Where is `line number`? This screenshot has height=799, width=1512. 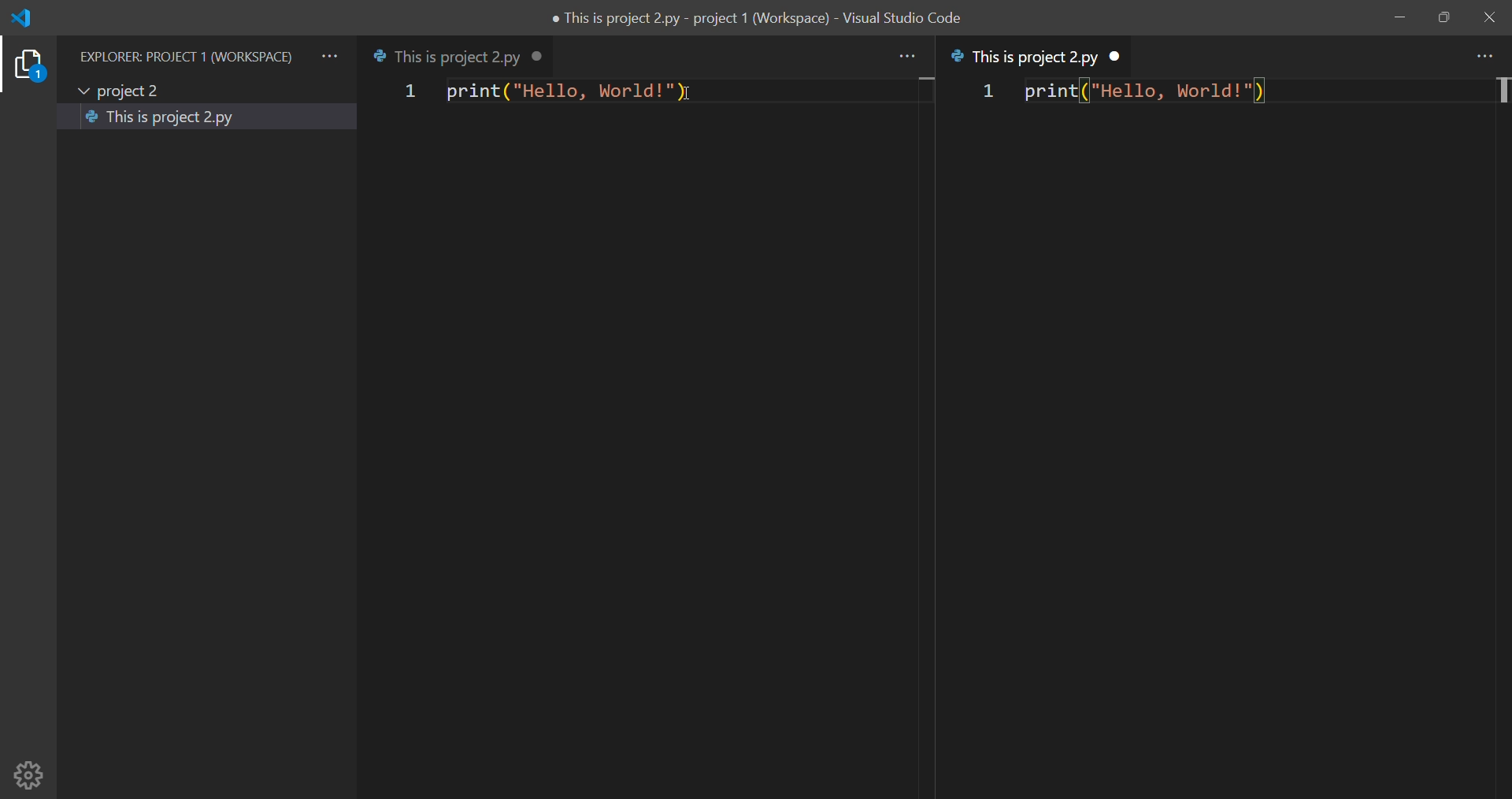
line number is located at coordinates (407, 91).